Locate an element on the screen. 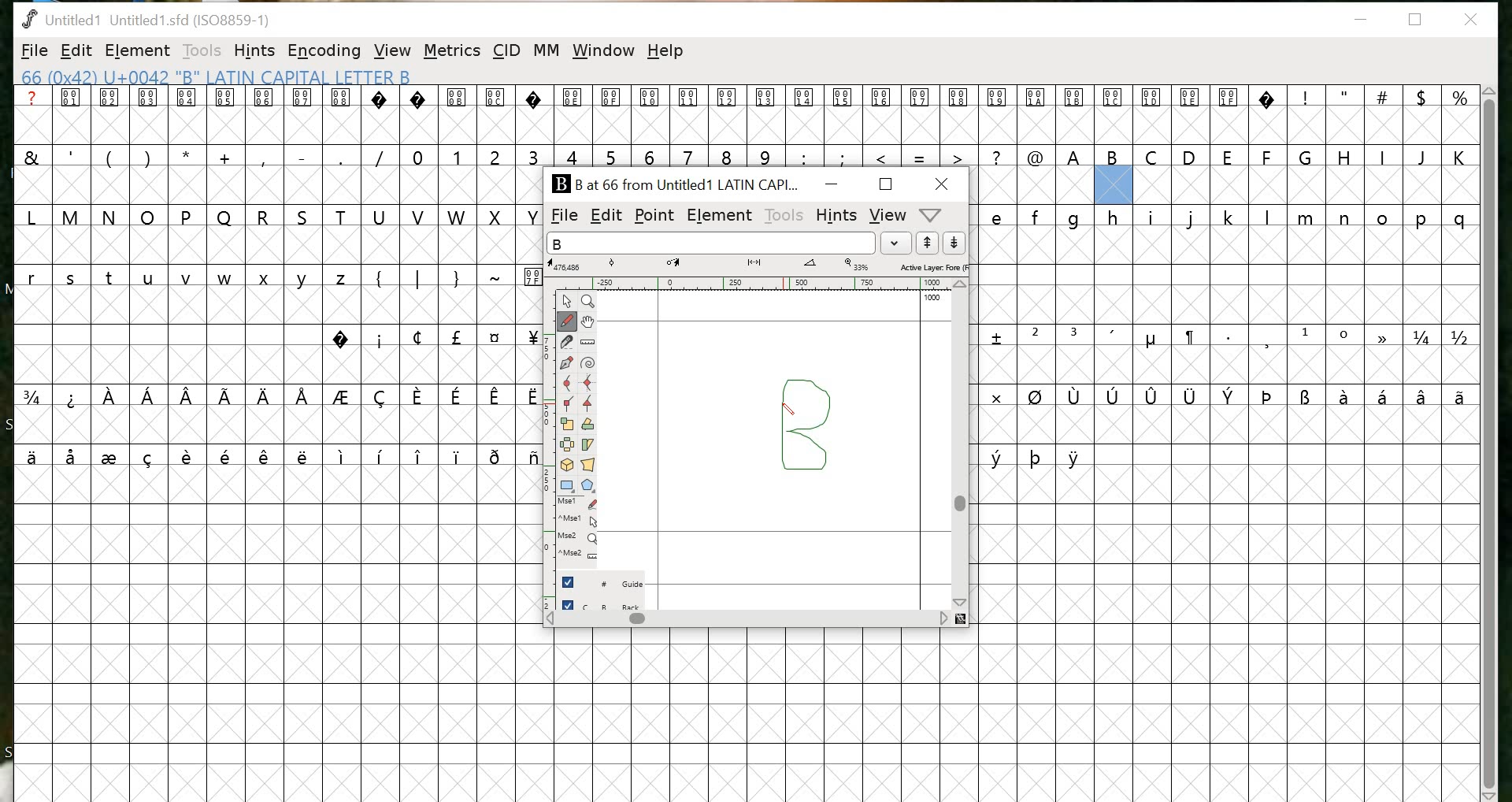 This screenshot has width=1512, height=802. EDIT is located at coordinates (76, 50).